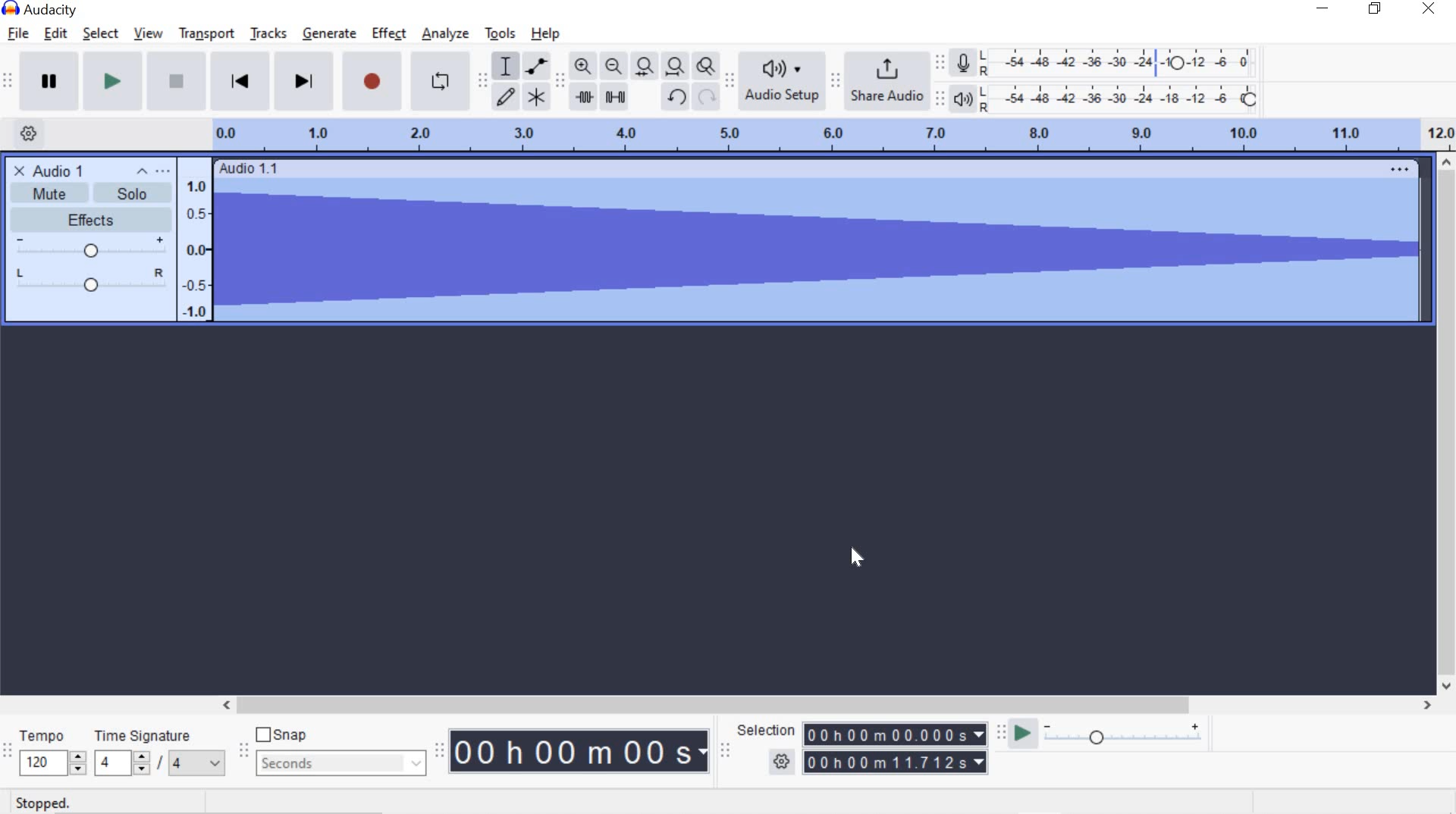  What do you see at coordinates (886, 80) in the screenshot?
I see `Share audio` at bounding box center [886, 80].